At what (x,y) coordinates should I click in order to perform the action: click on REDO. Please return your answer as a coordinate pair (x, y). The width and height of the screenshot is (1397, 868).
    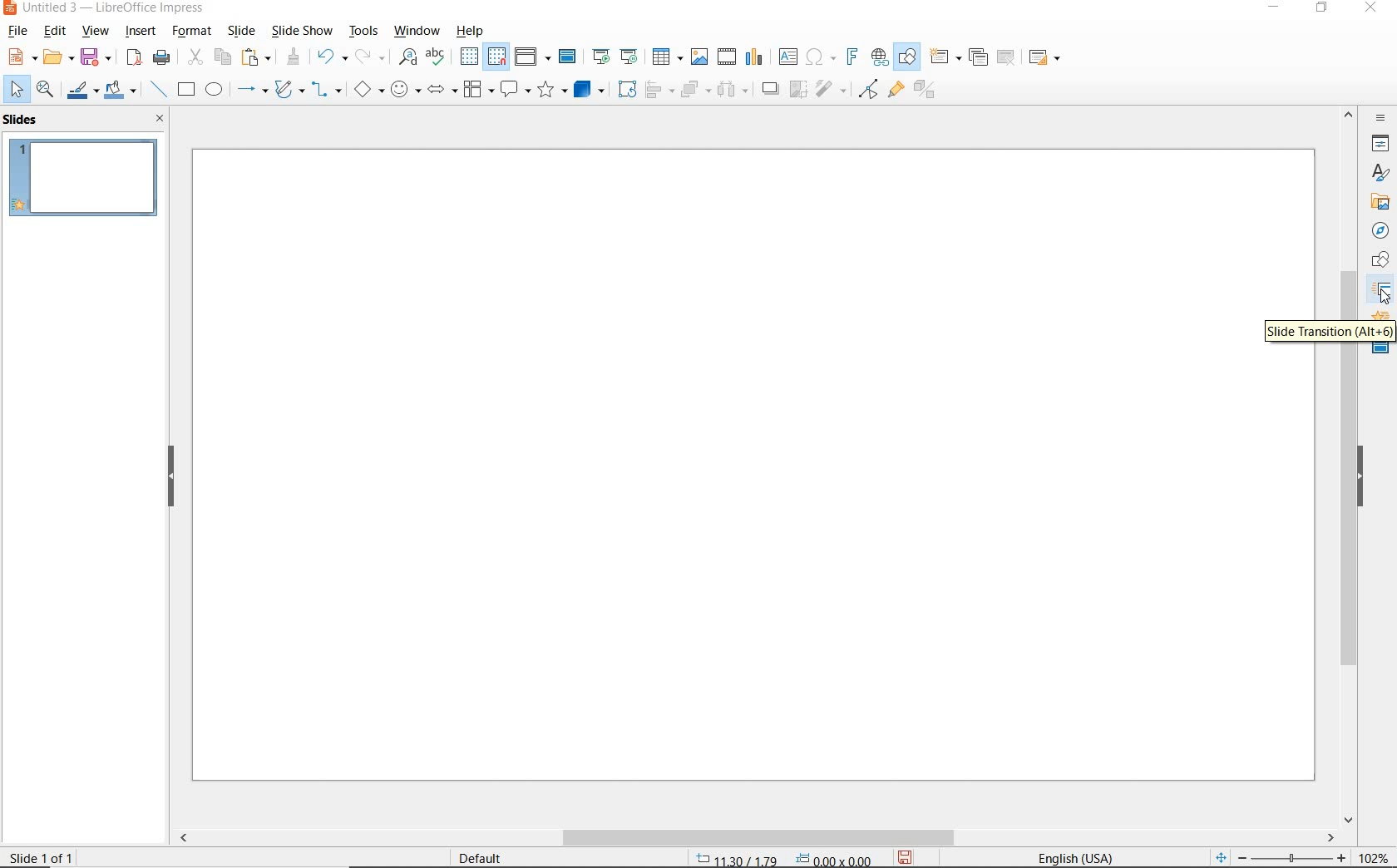
    Looking at the image, I should click on (371, 57).